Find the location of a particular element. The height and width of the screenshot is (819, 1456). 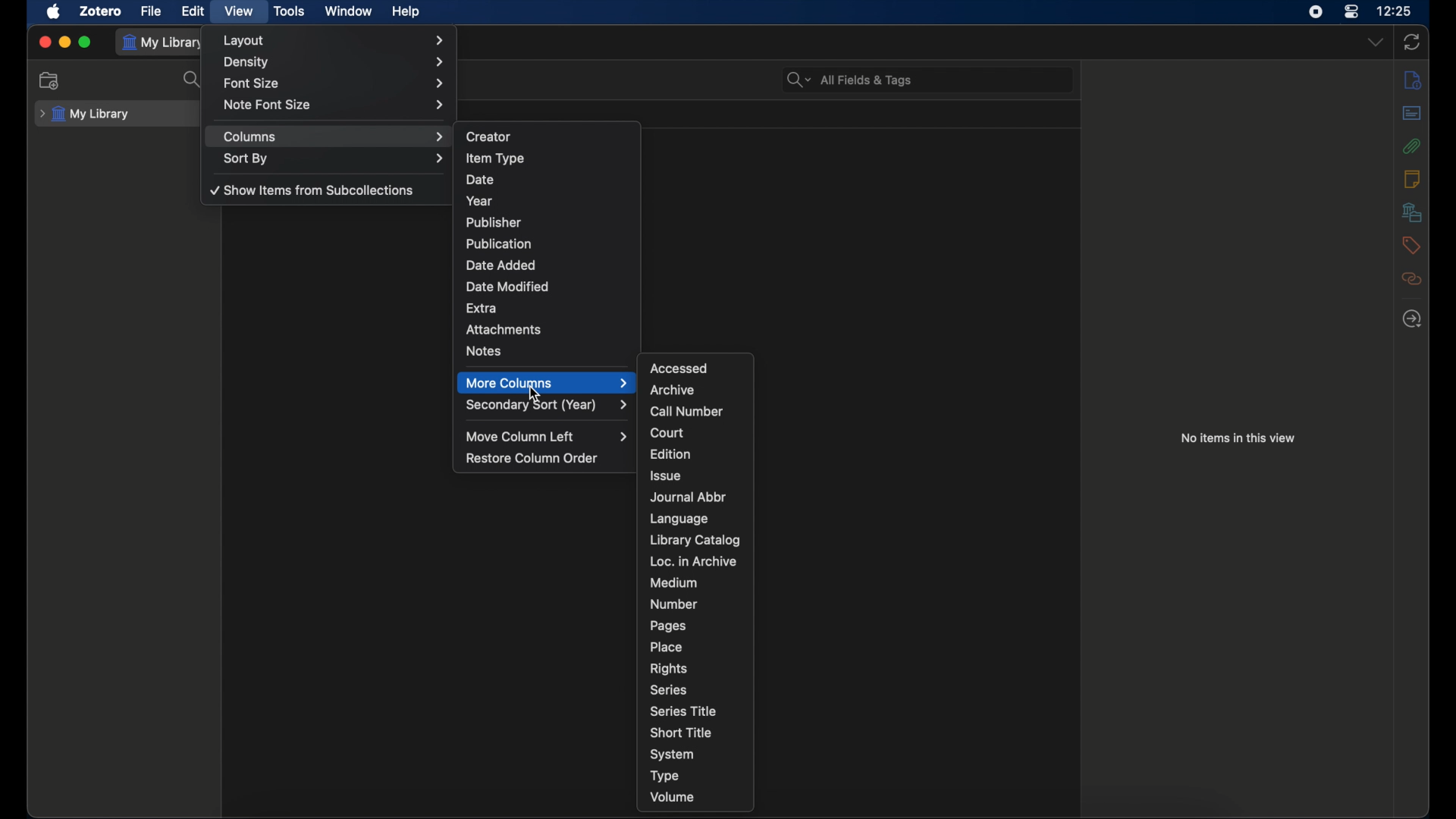

file is located at coordinates (151, 11).